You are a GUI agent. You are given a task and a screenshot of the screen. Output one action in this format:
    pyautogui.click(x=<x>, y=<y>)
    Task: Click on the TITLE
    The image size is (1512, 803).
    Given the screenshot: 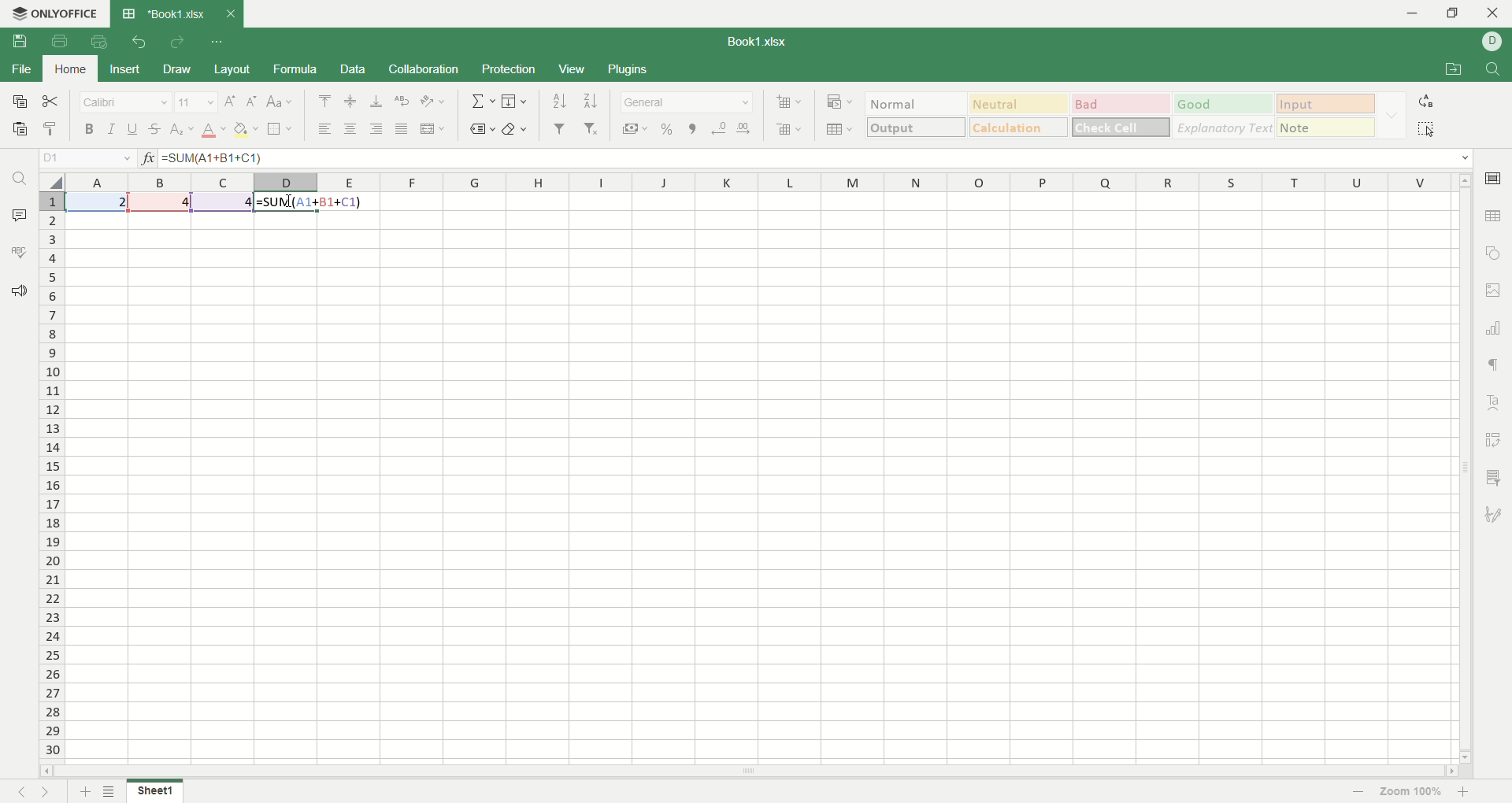 What is the action you would take?
    pyautogui.click(x=759, y=39)
    